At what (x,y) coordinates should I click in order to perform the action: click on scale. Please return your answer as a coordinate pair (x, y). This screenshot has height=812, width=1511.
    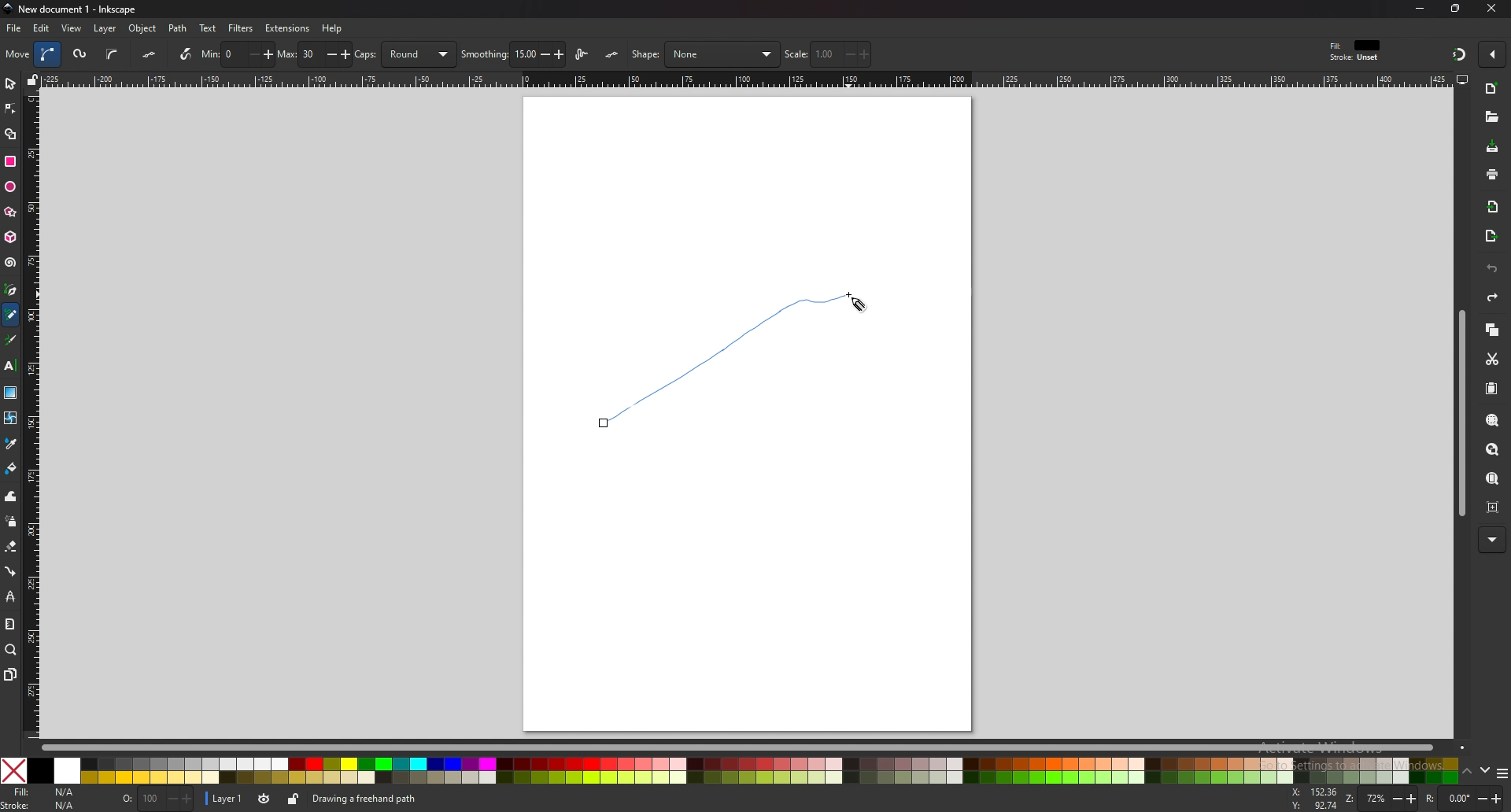
    Looking at the image, I should click on (828, 54).